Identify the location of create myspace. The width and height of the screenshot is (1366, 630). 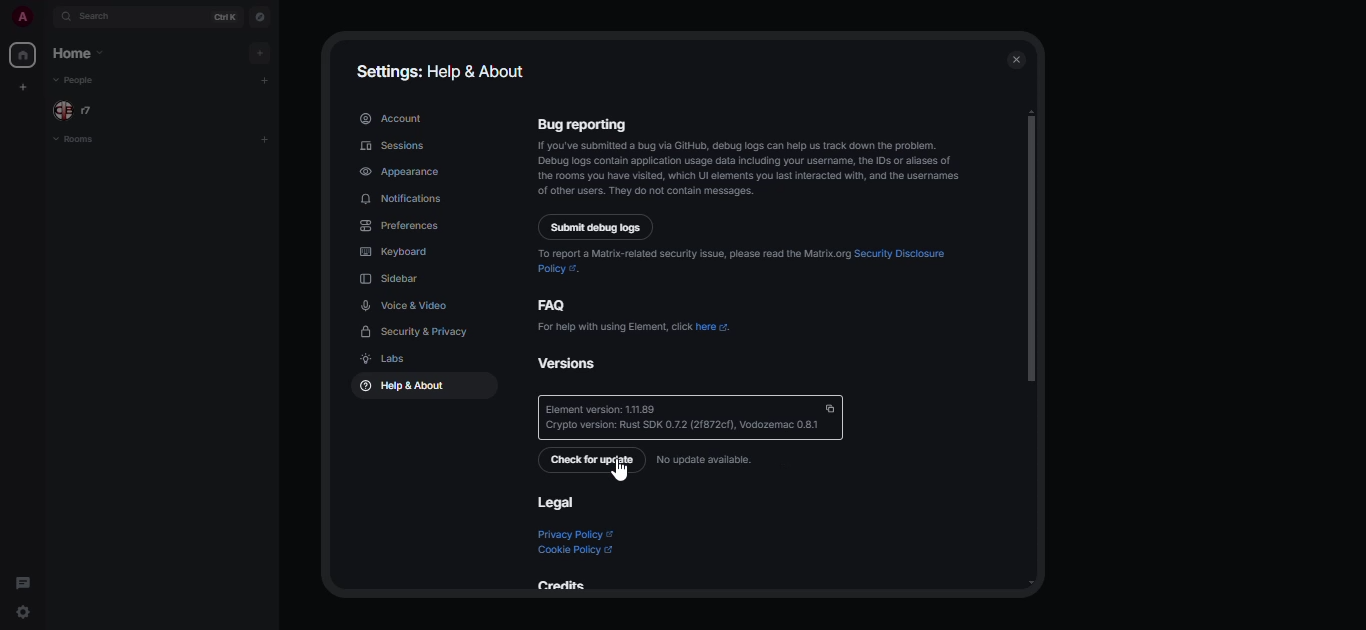
(25, 86).